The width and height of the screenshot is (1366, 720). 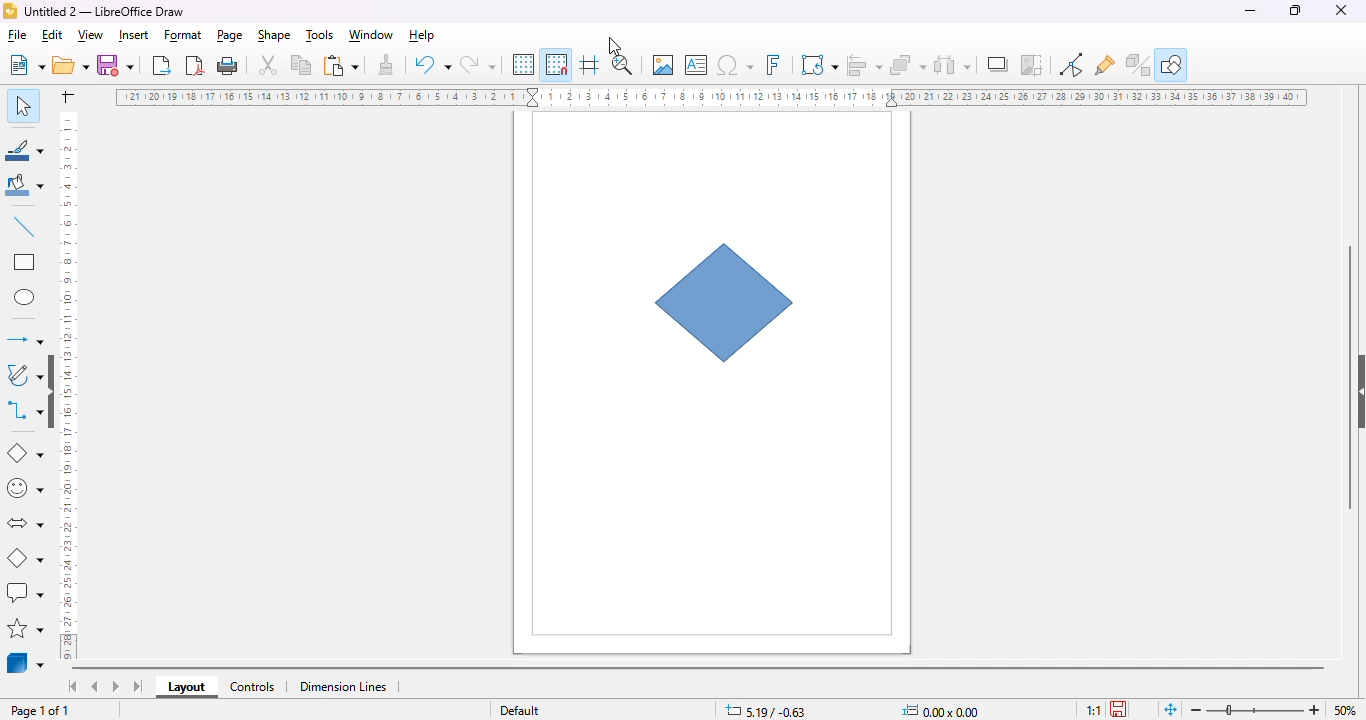 I want to click on toggle point edit mode, so click(x=1071, y=64).